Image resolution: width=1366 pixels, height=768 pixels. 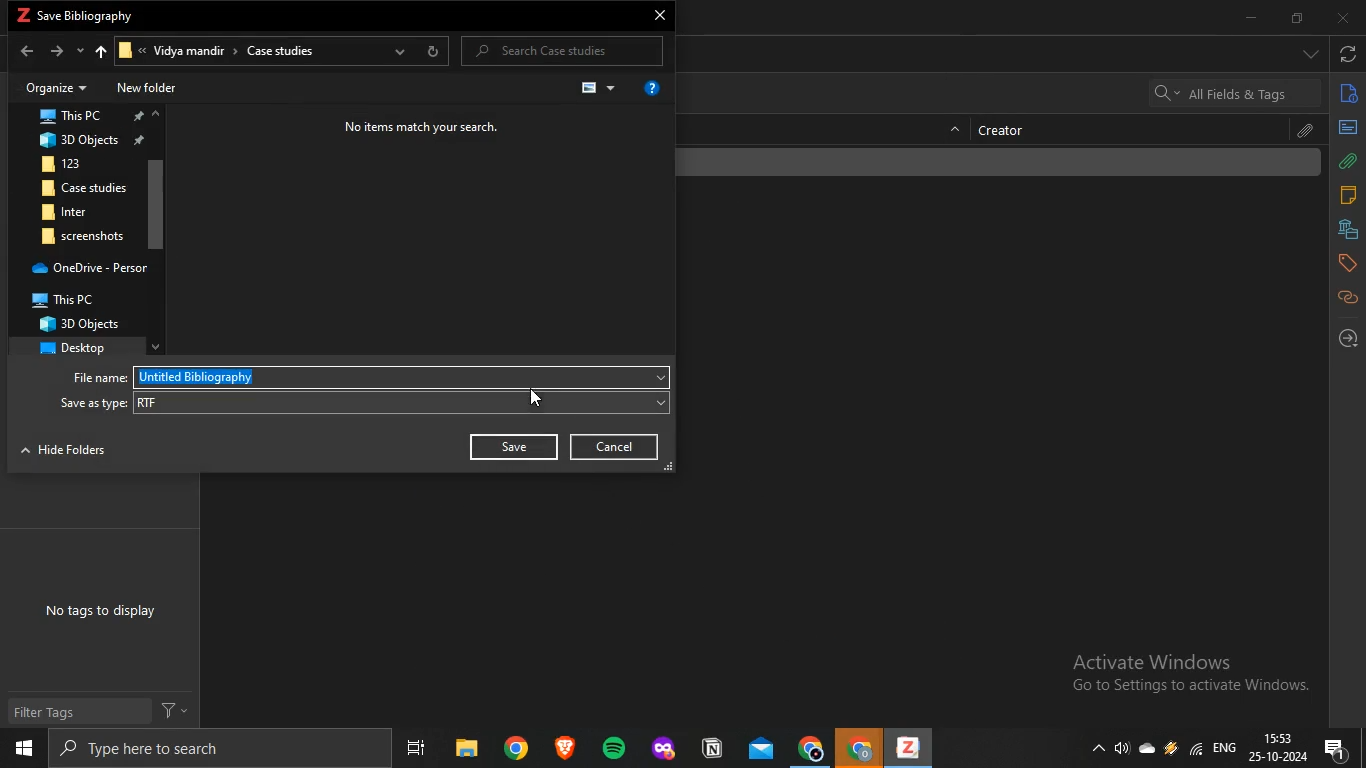 I want to click on desktop, so click(x=97, y=350).